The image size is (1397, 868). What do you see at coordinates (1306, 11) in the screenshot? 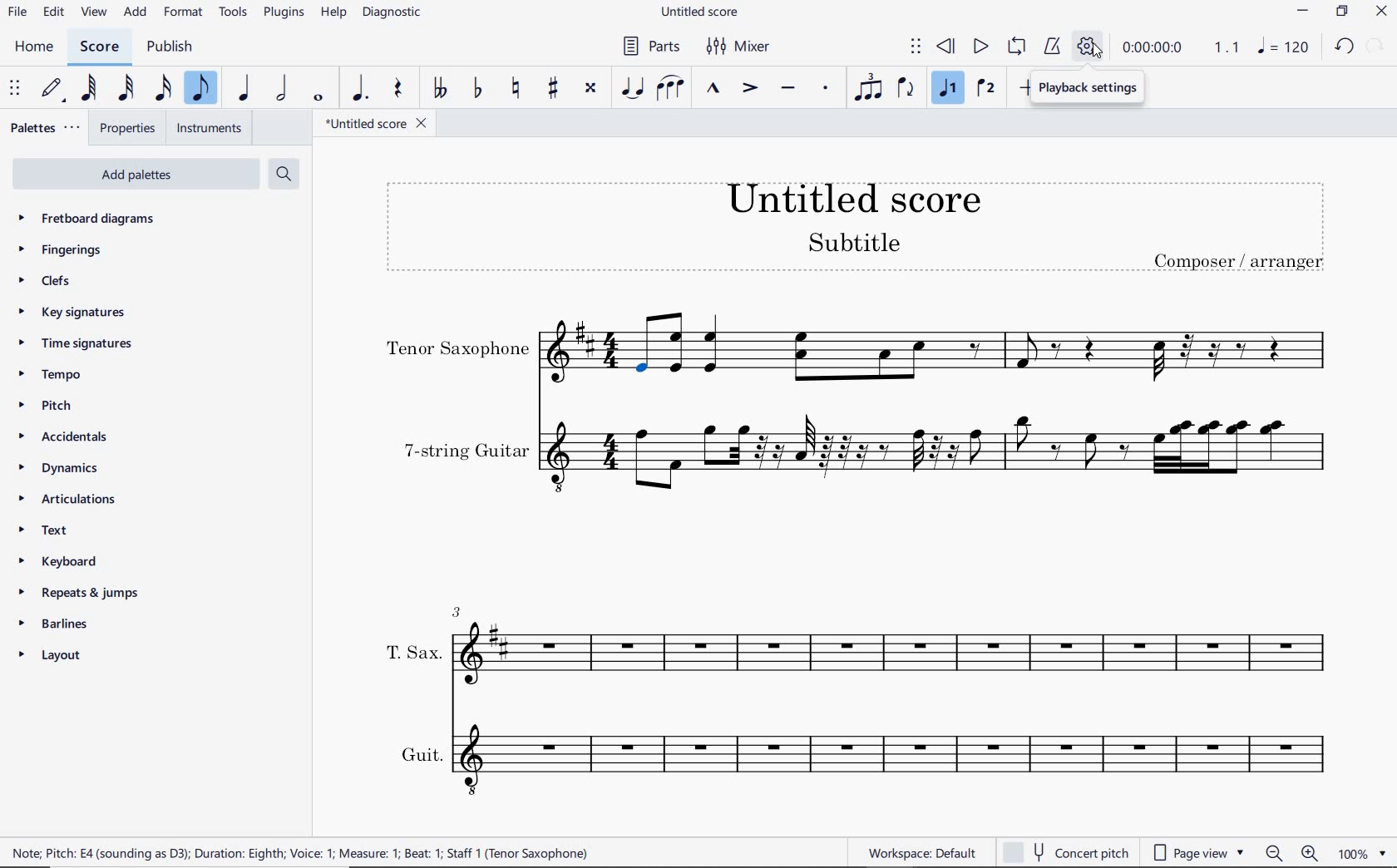
I see `MINIMIZE` at bounding box center [1306, 11].